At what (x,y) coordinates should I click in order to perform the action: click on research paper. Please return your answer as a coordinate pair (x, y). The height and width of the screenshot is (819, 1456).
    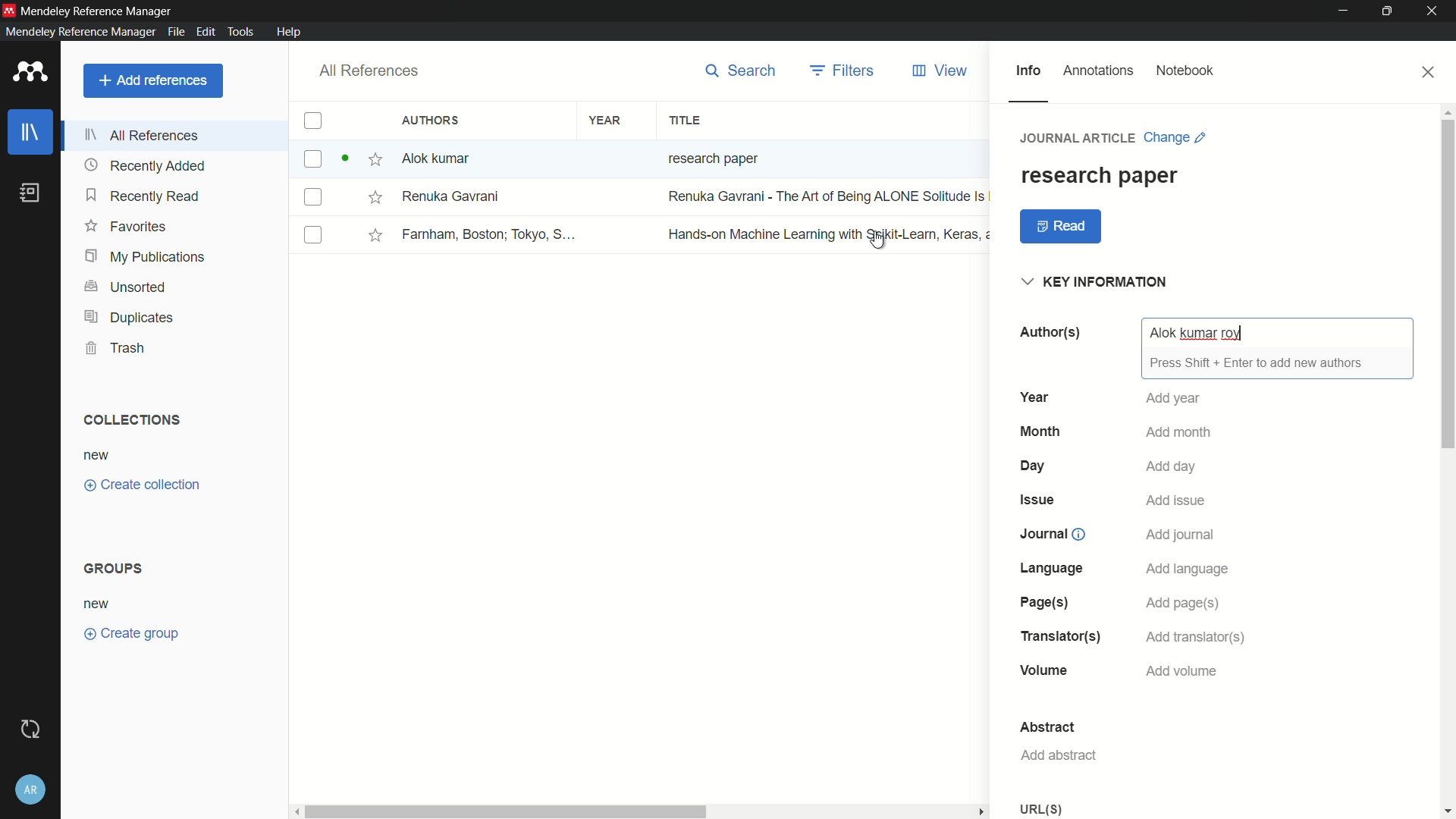
    Looking at the image, I should click on (1099, 175).